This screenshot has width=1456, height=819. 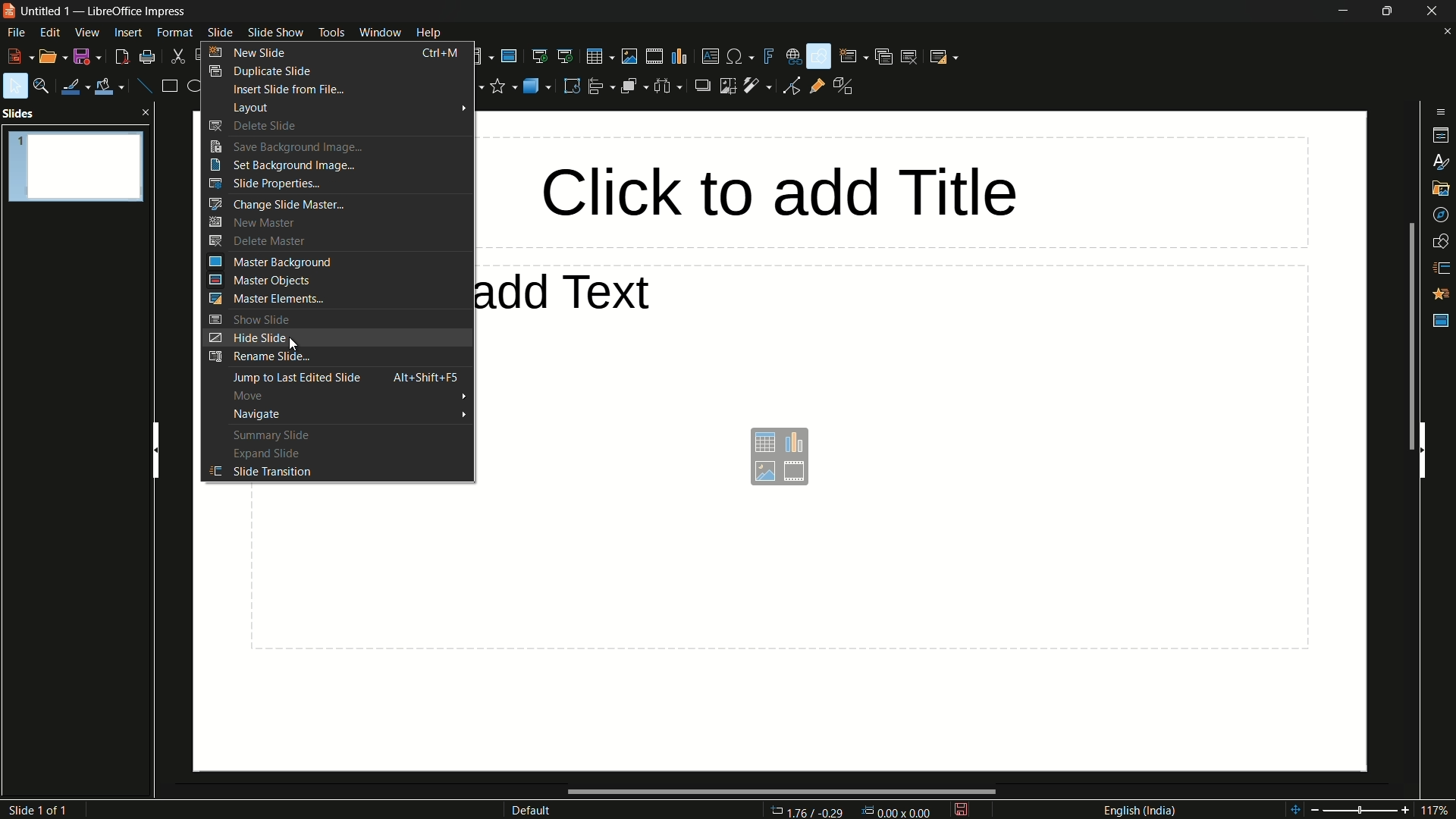 I want to click on zoom out, so click(x=1314, y=810).